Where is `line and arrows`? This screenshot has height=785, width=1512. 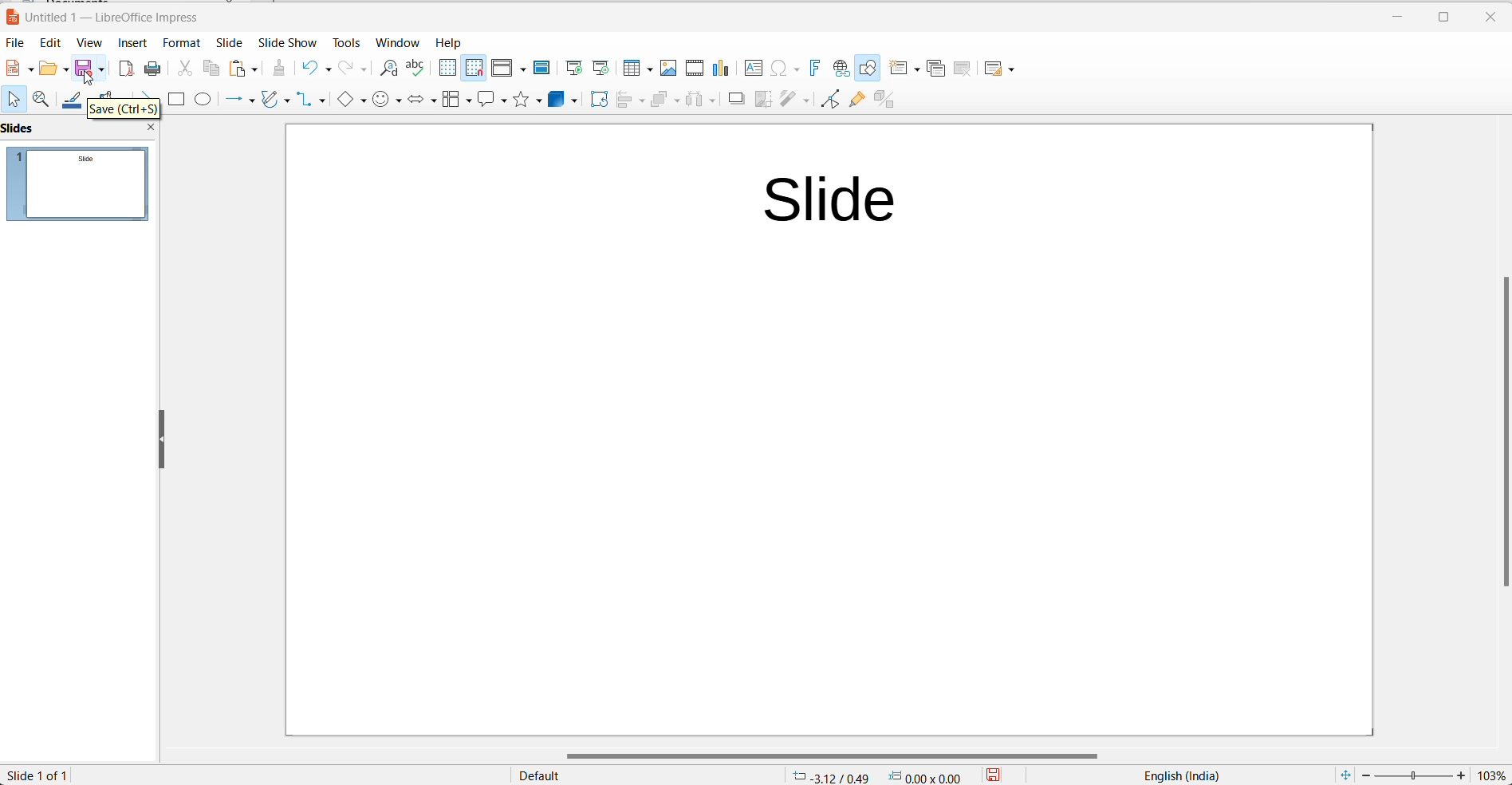
line and arrows is located at coordinates (239, 100).